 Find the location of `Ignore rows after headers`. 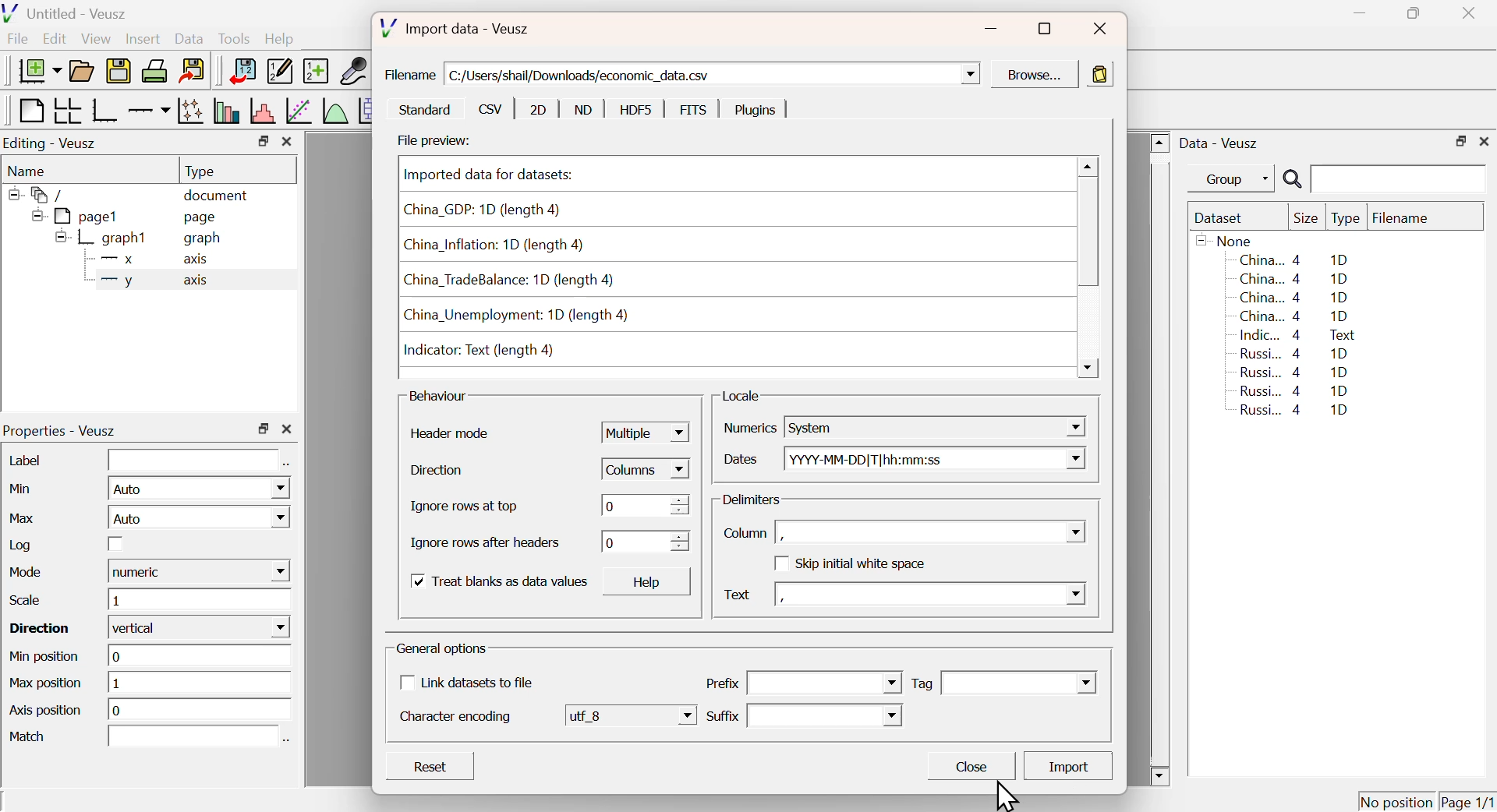

Ignore rows after headers is located at coordinates (485, 542).